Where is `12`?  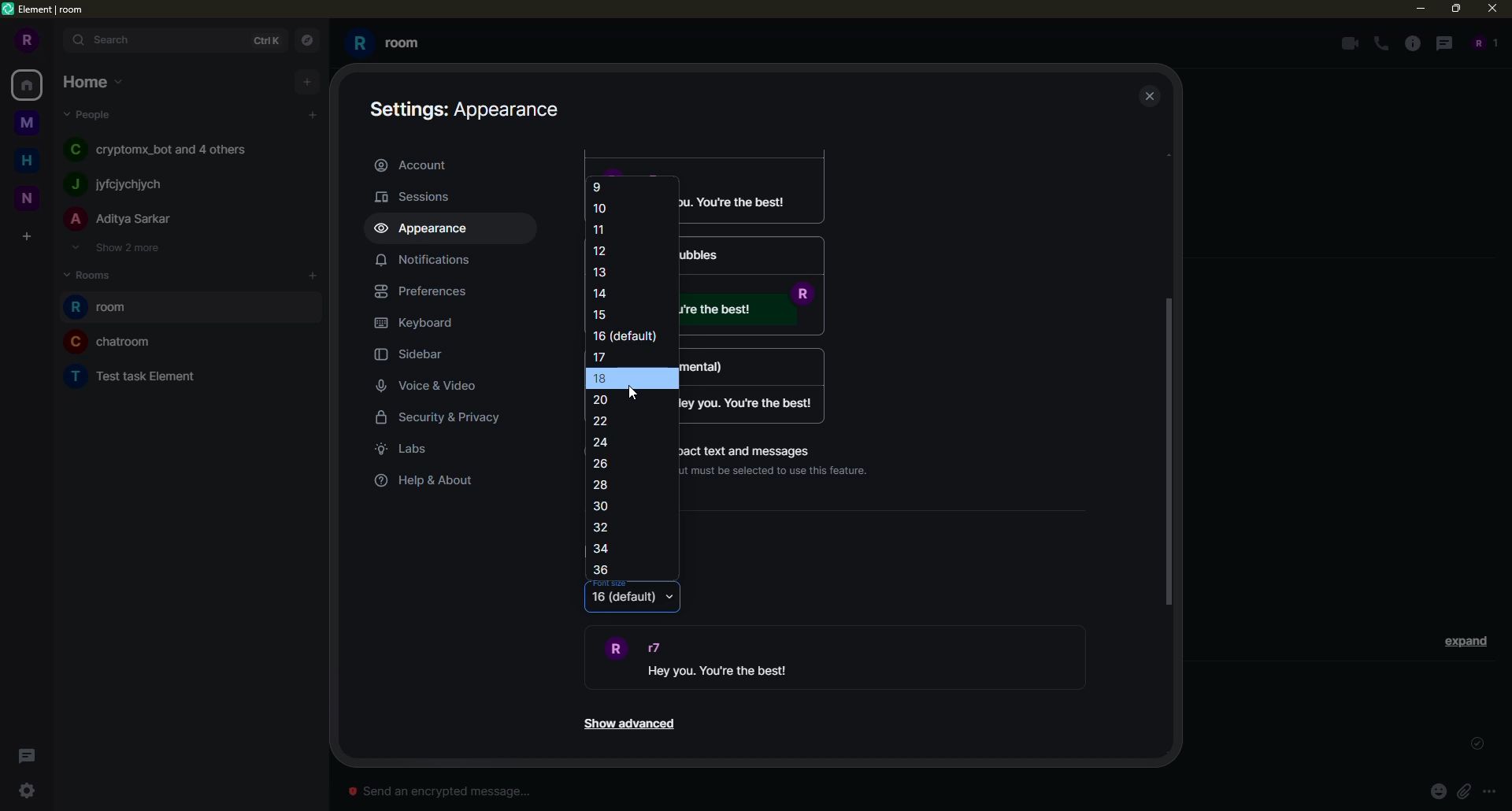
12 is located at coordinates (600, 249).